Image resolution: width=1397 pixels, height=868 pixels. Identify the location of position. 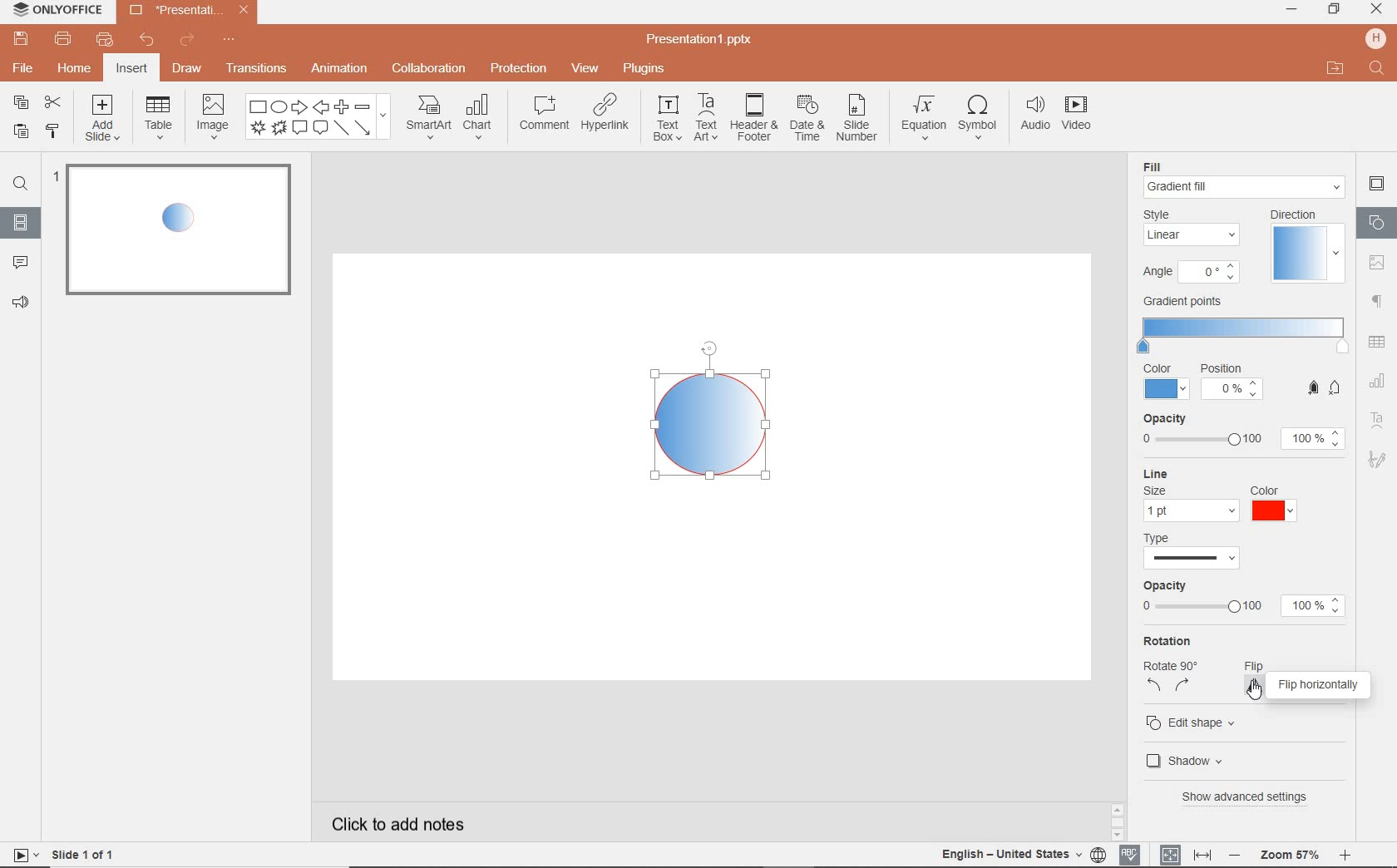
(1232, 384).